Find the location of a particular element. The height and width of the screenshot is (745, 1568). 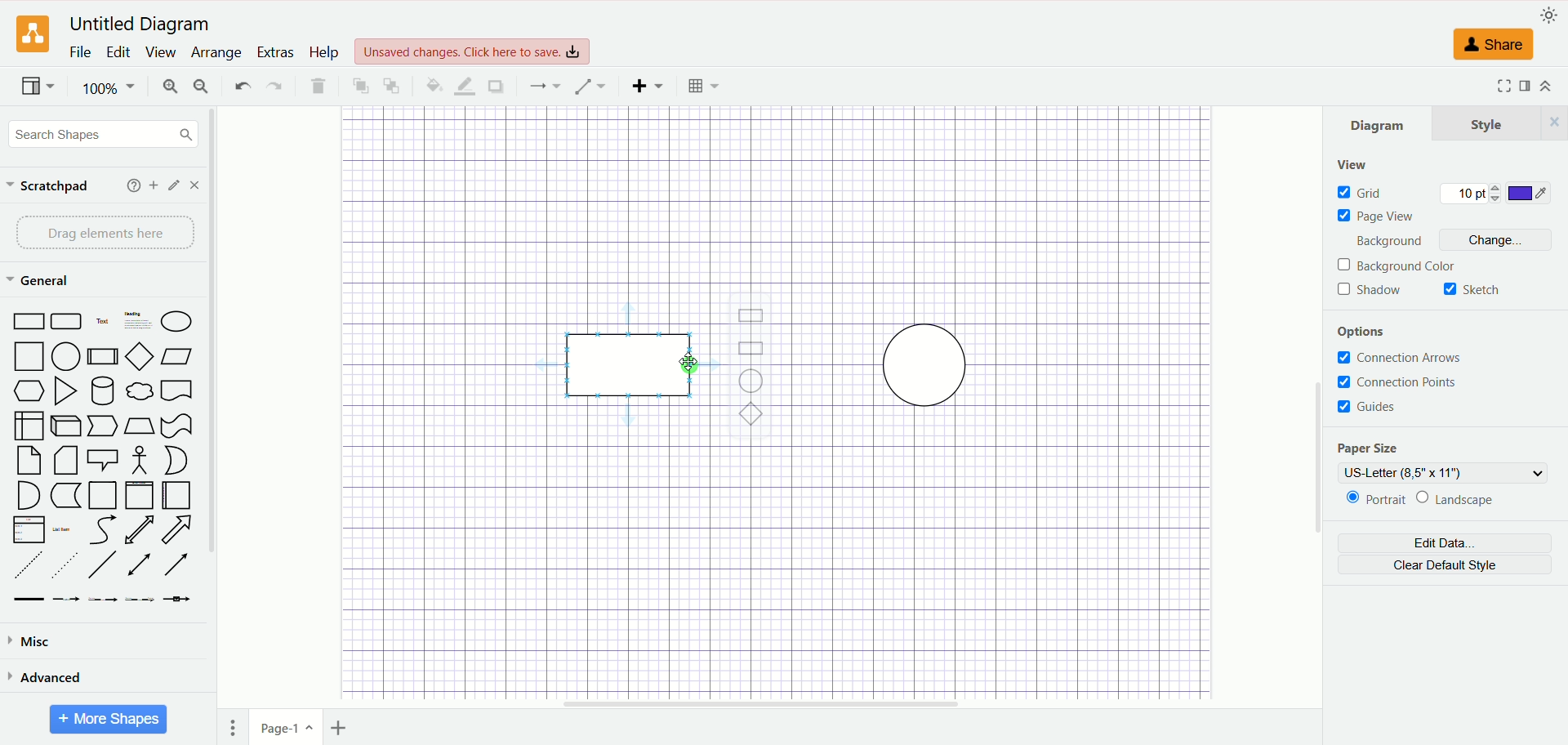

Bookmar is located at coordinates (178, 393).